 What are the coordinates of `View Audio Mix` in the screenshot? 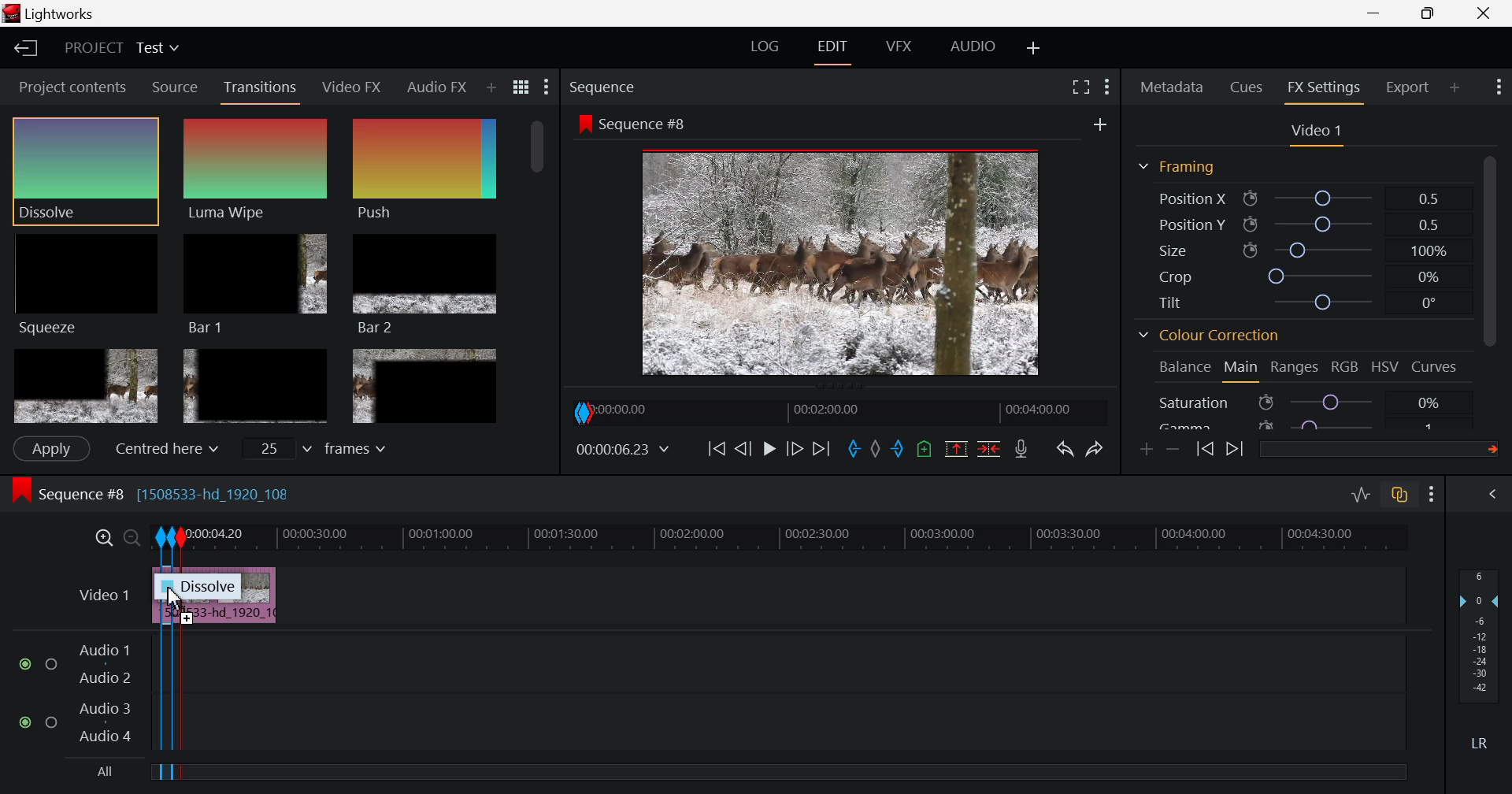 It's located at (1495, 495).